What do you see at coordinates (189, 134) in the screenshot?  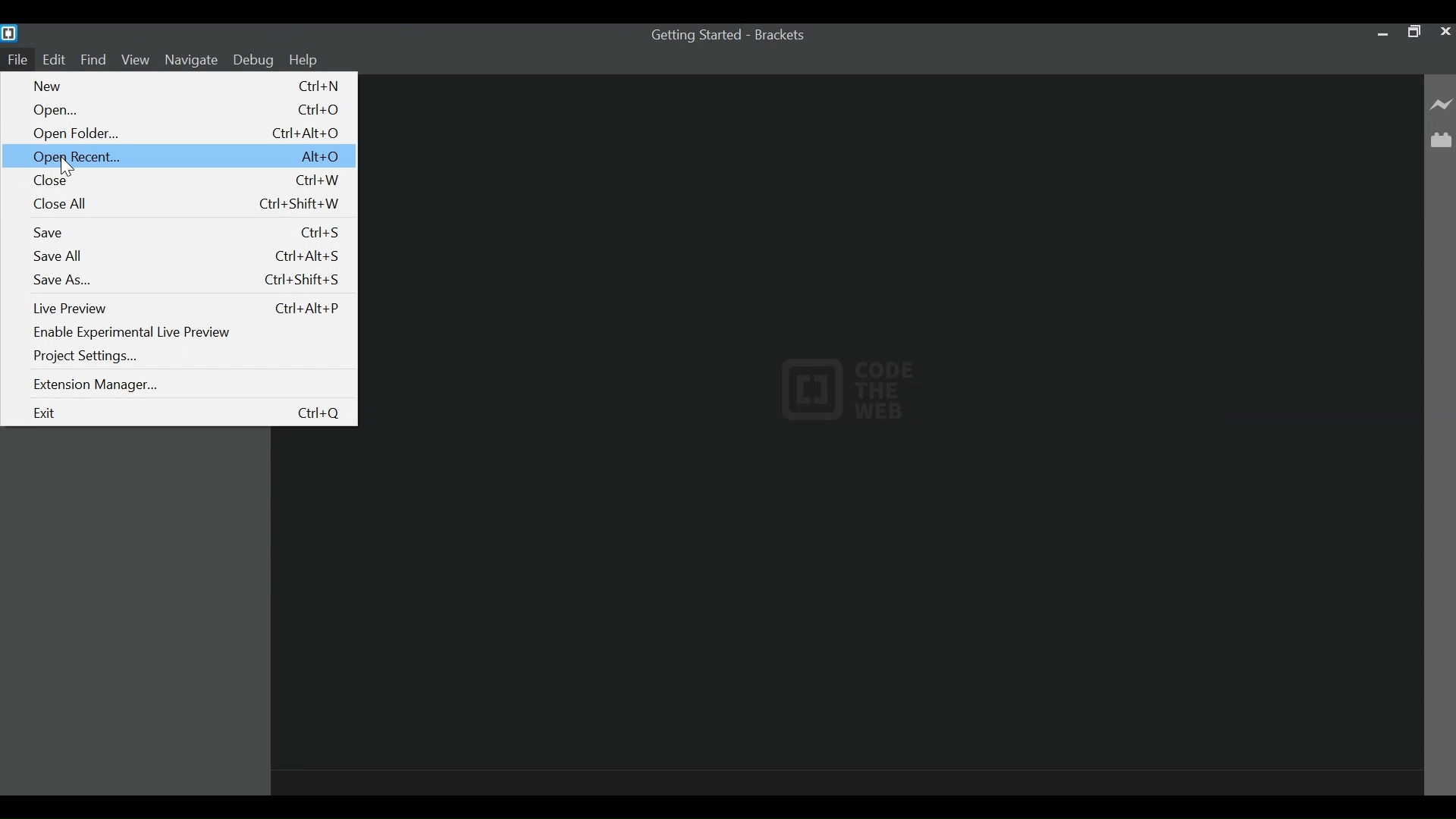 I see `Open Folder` at bounding box center [189, 134].